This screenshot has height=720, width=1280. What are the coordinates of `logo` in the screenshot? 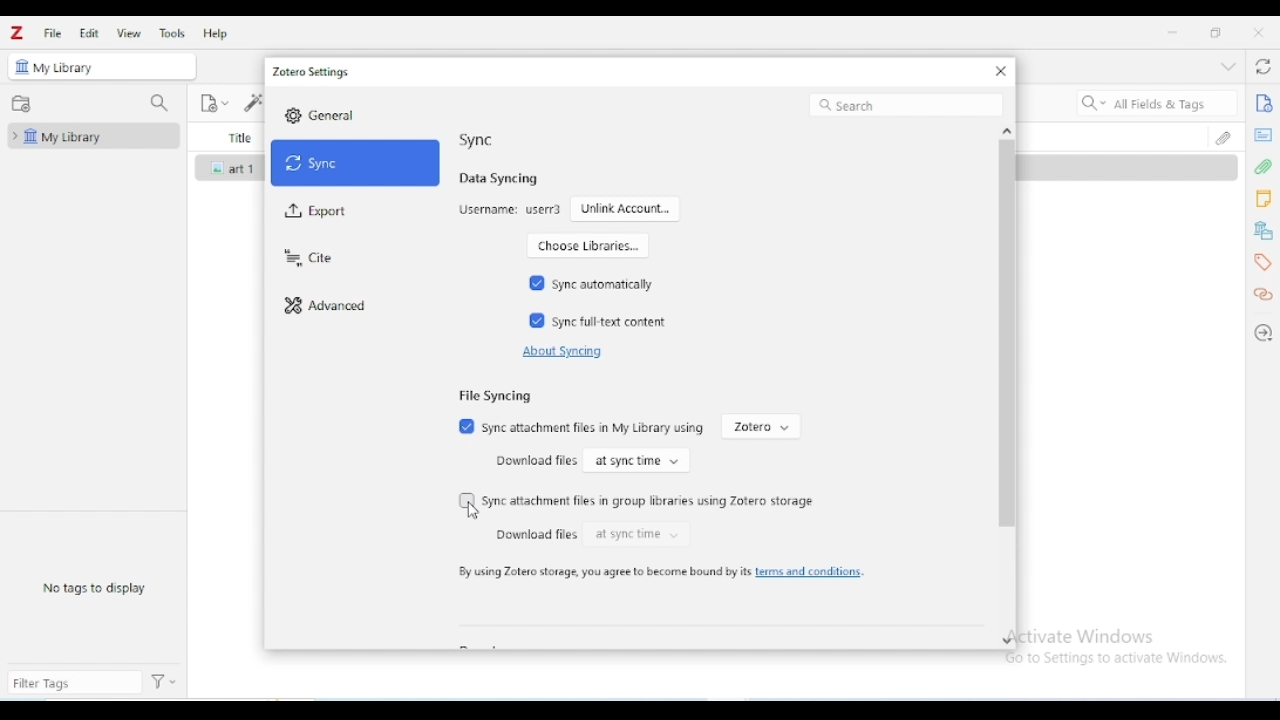 It's located at (16, 32).